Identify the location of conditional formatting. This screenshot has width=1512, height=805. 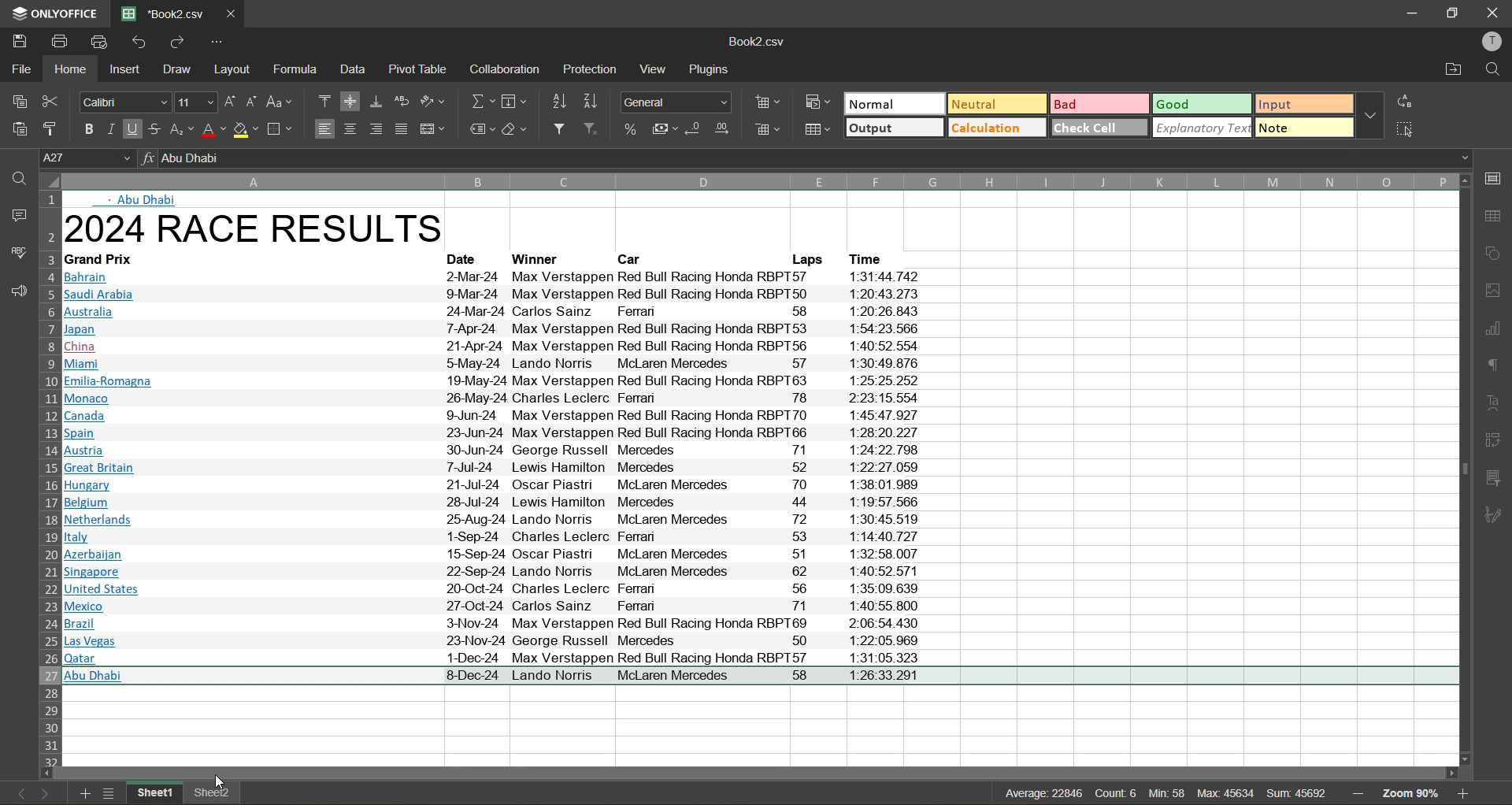
(814, 105).